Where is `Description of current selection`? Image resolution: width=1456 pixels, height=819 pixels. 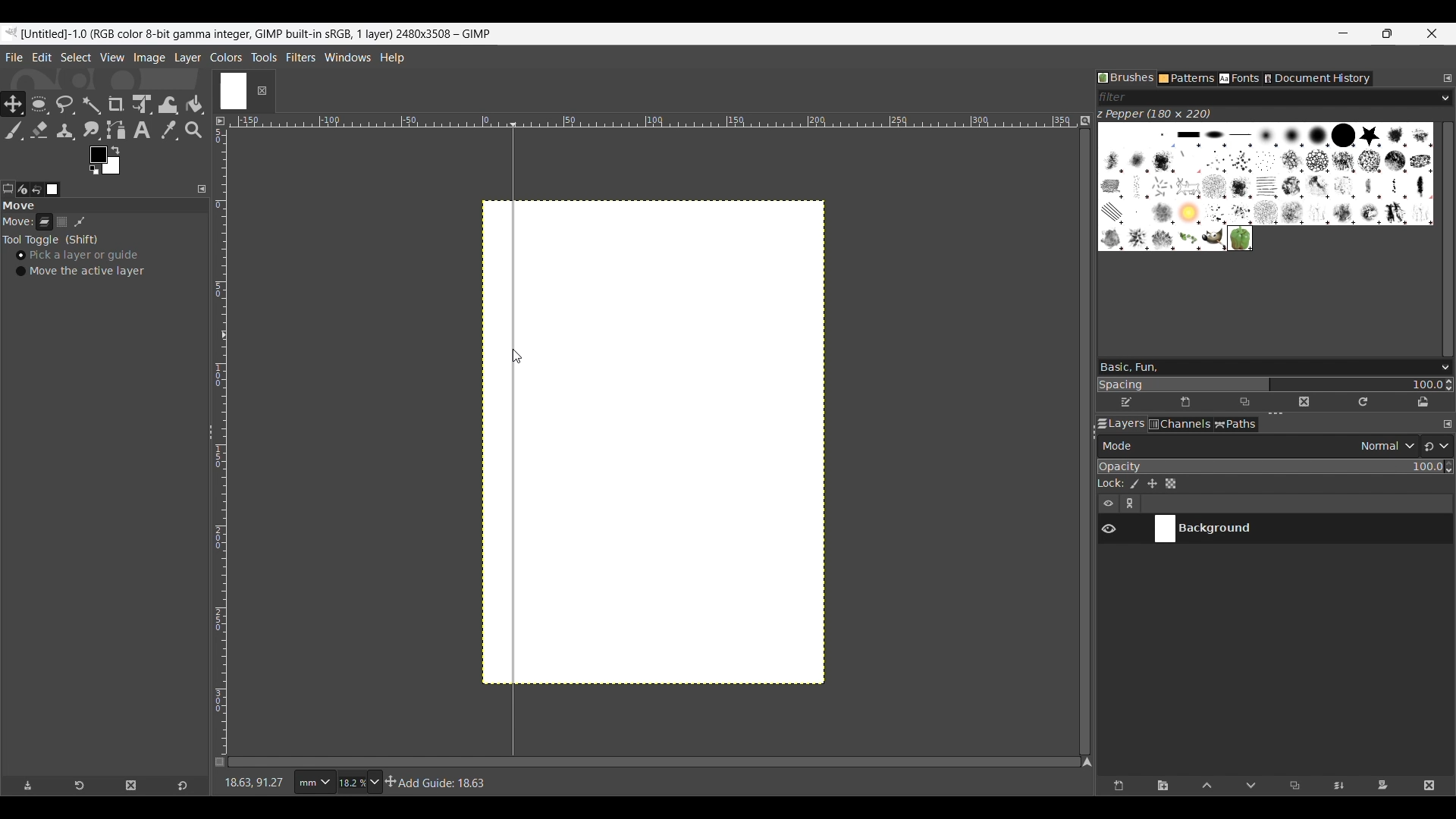 Description of current selection is located at coordinates (439, 783).